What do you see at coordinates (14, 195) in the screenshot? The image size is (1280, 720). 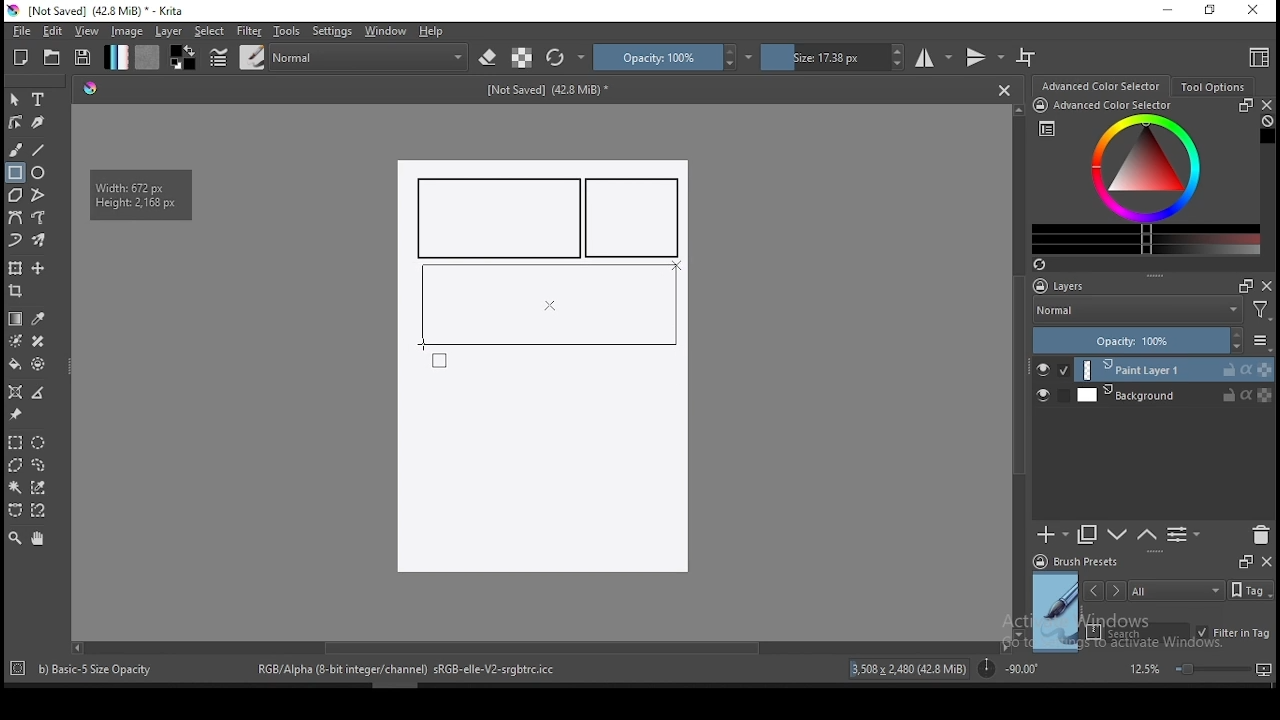 I see `polygon tool` at bounding box center [14, 195].